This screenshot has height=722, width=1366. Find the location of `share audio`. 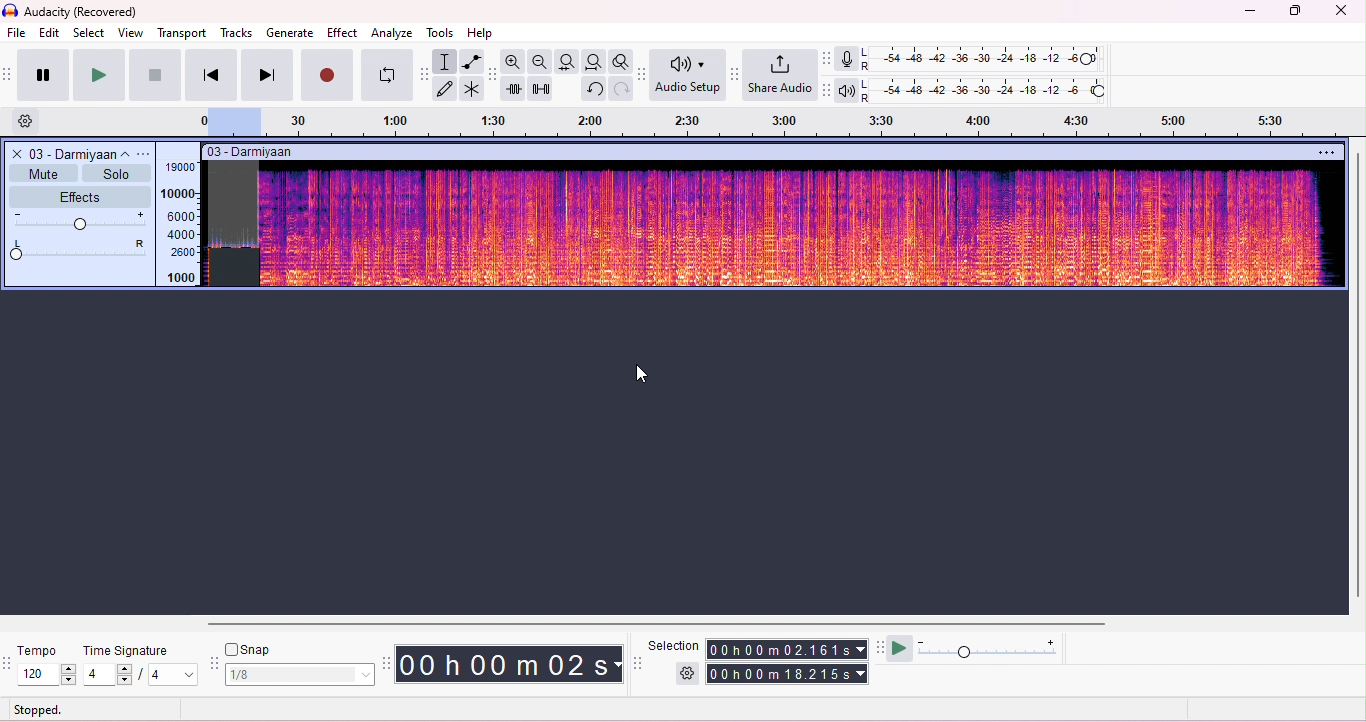

share audio is located at coordinates (779, 75).